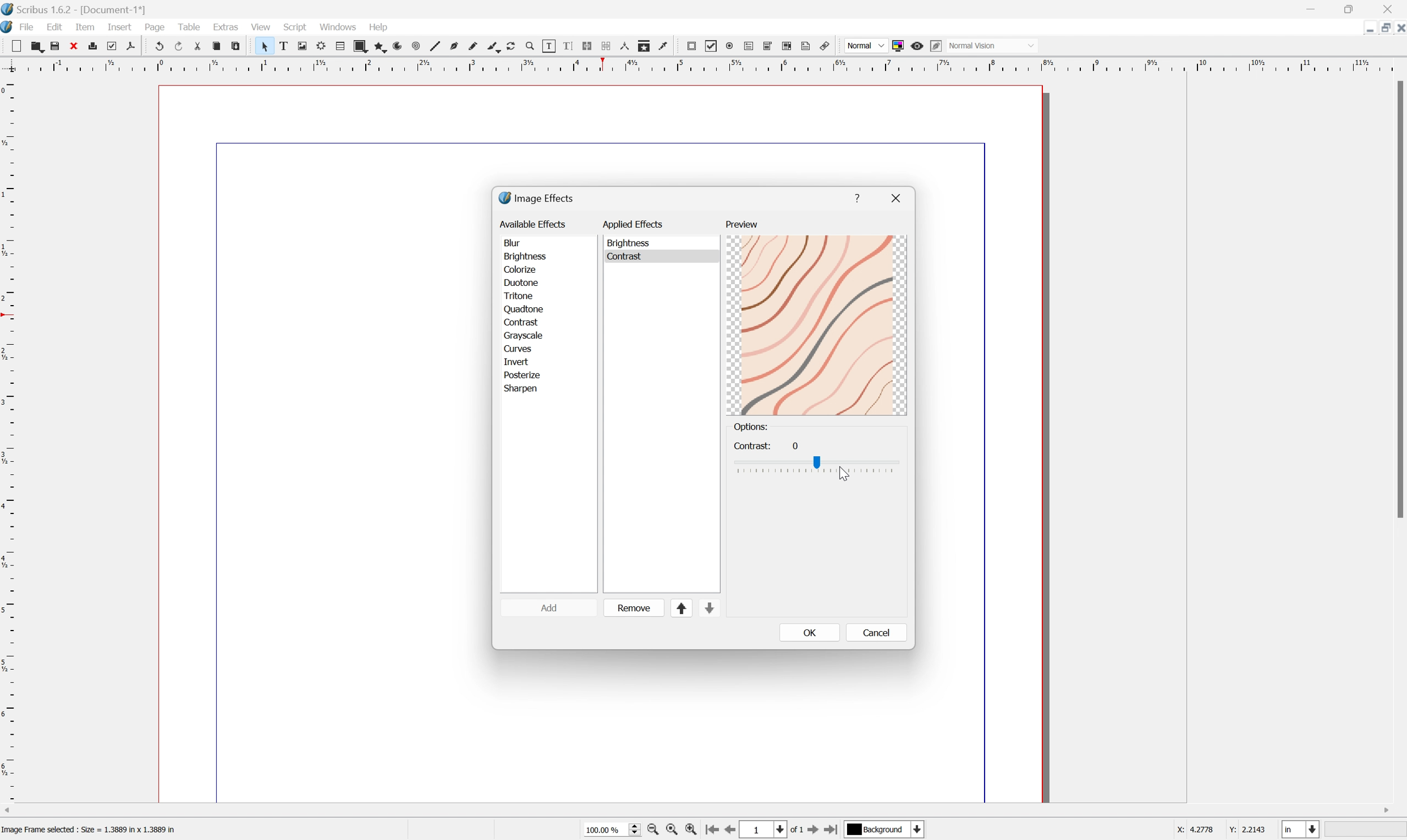 Image resolution: width=1407 pixels, height=840 pixels. What do you see at coordinates (216, 46) in the screenshot?
I see `Copy` at bounding box center [216, 46].